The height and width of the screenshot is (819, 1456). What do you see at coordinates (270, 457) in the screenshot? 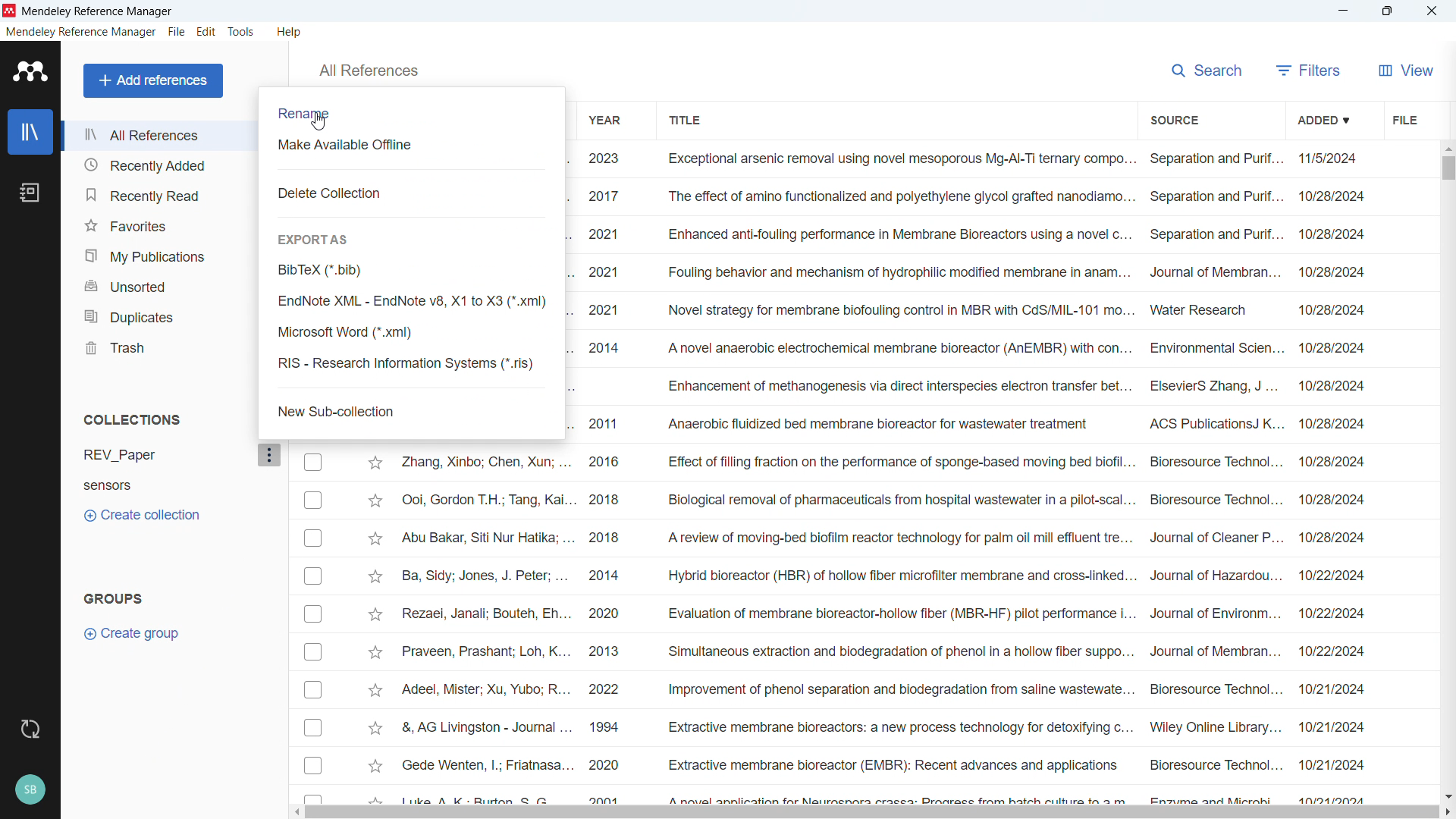
I see `More options` at bounding box center [270, 457].